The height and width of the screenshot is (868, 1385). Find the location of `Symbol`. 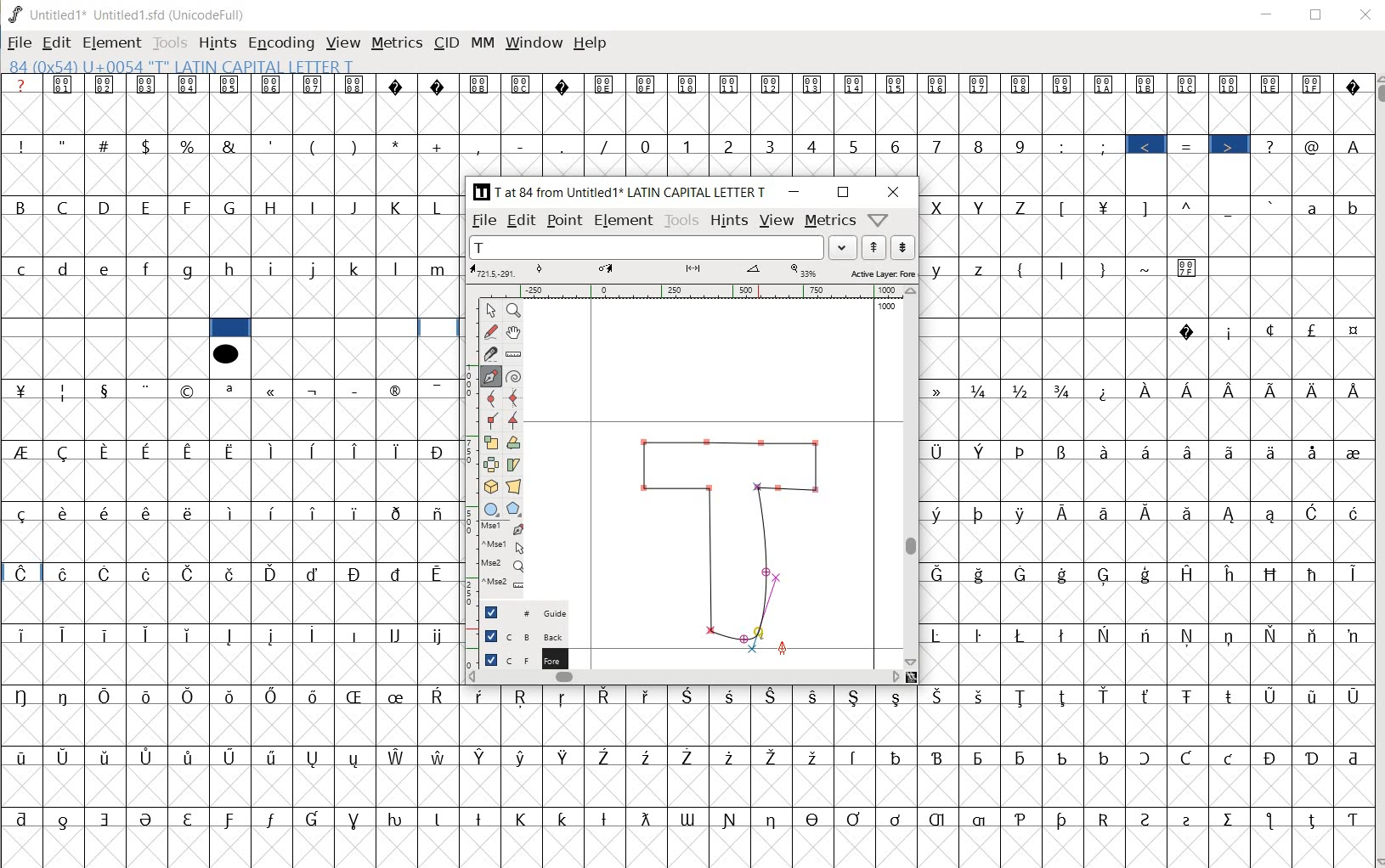

Symbol is located at coordinates (522, 698).